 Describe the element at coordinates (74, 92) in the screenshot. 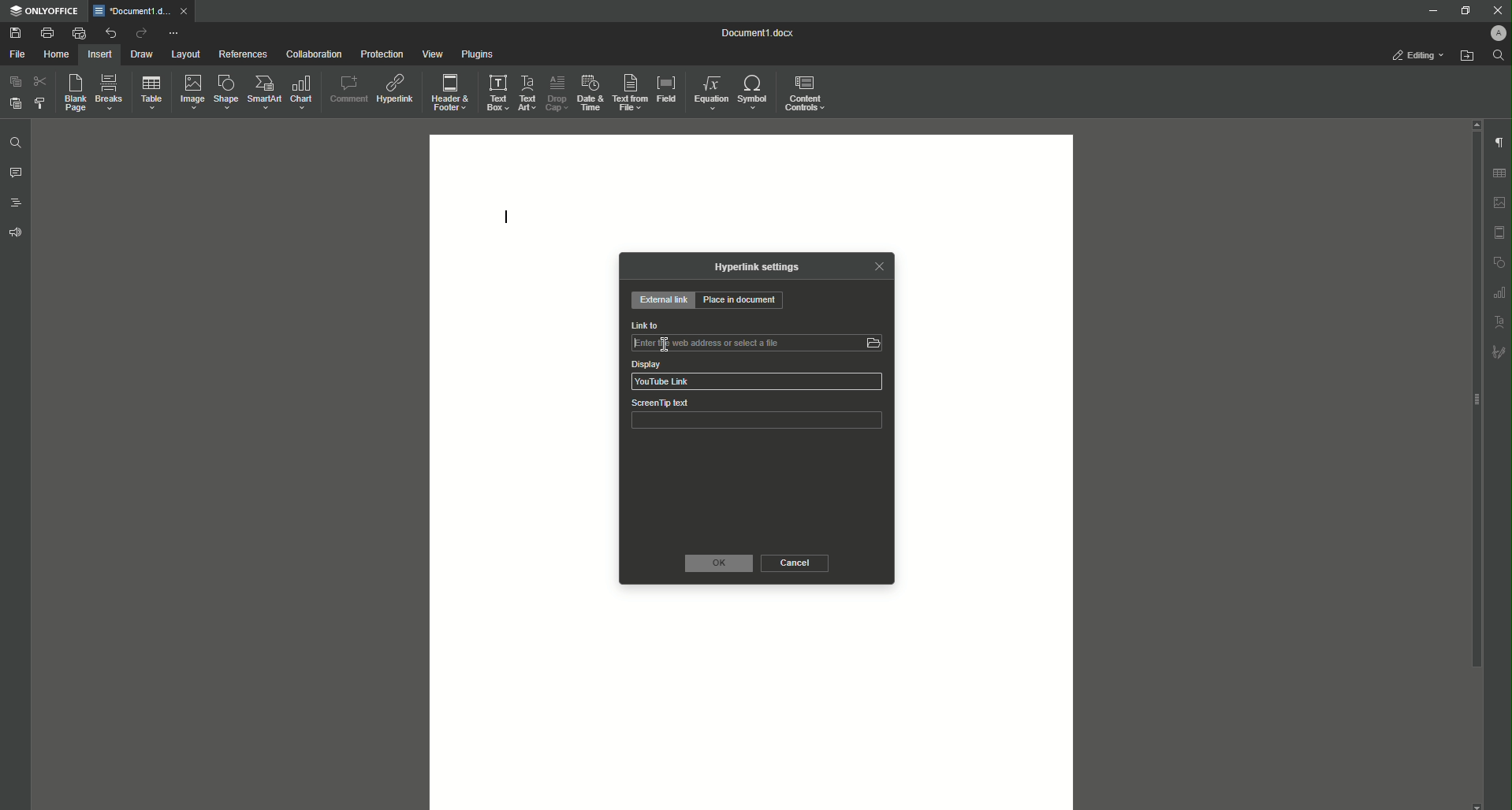

I see `Blank Page` at that location.